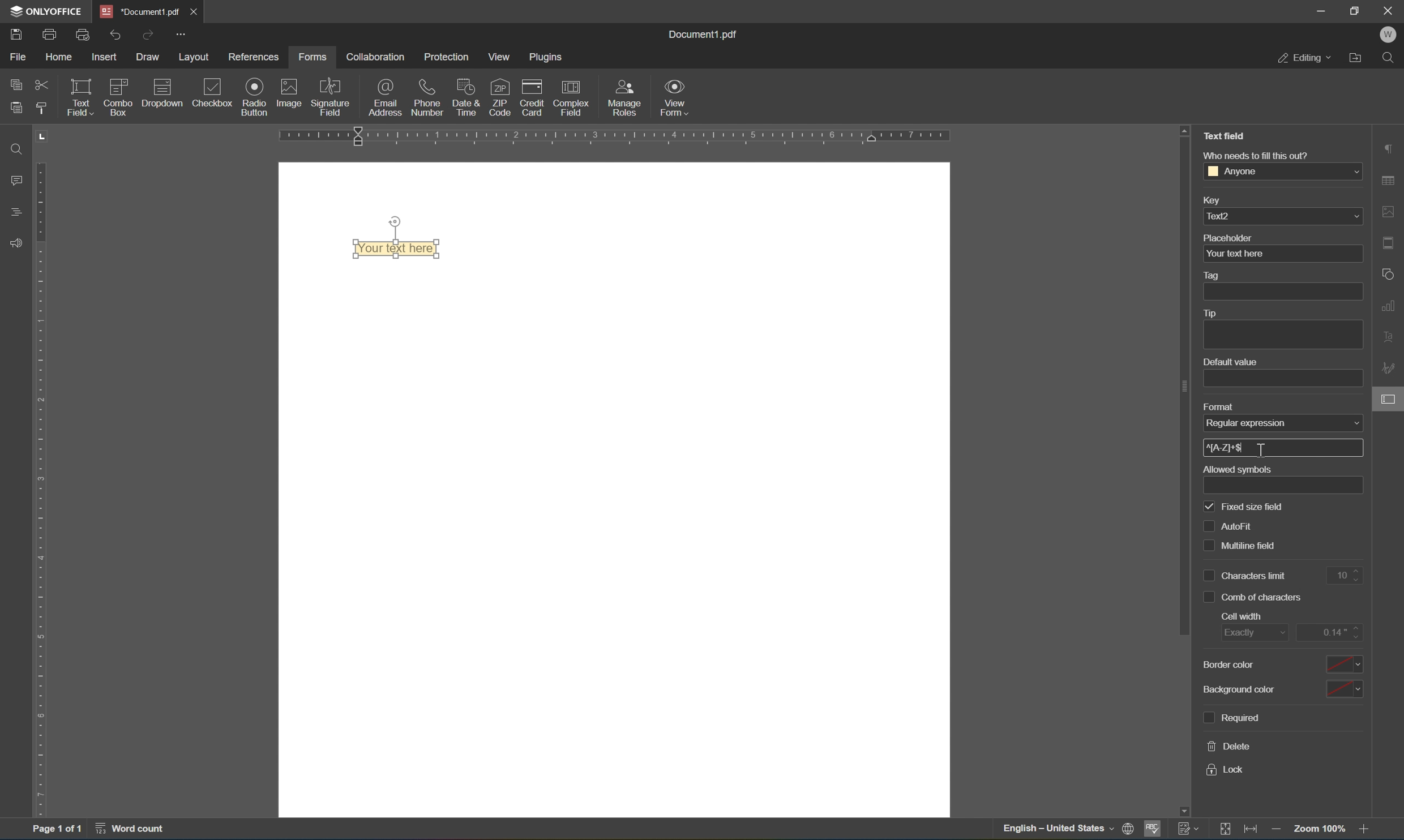 The width and height of the screenshot is (1404, 840). What do you see at coordinates (1251, 832) in the screenshot?
I see `fit to width` at bounding box center [1251, 832].